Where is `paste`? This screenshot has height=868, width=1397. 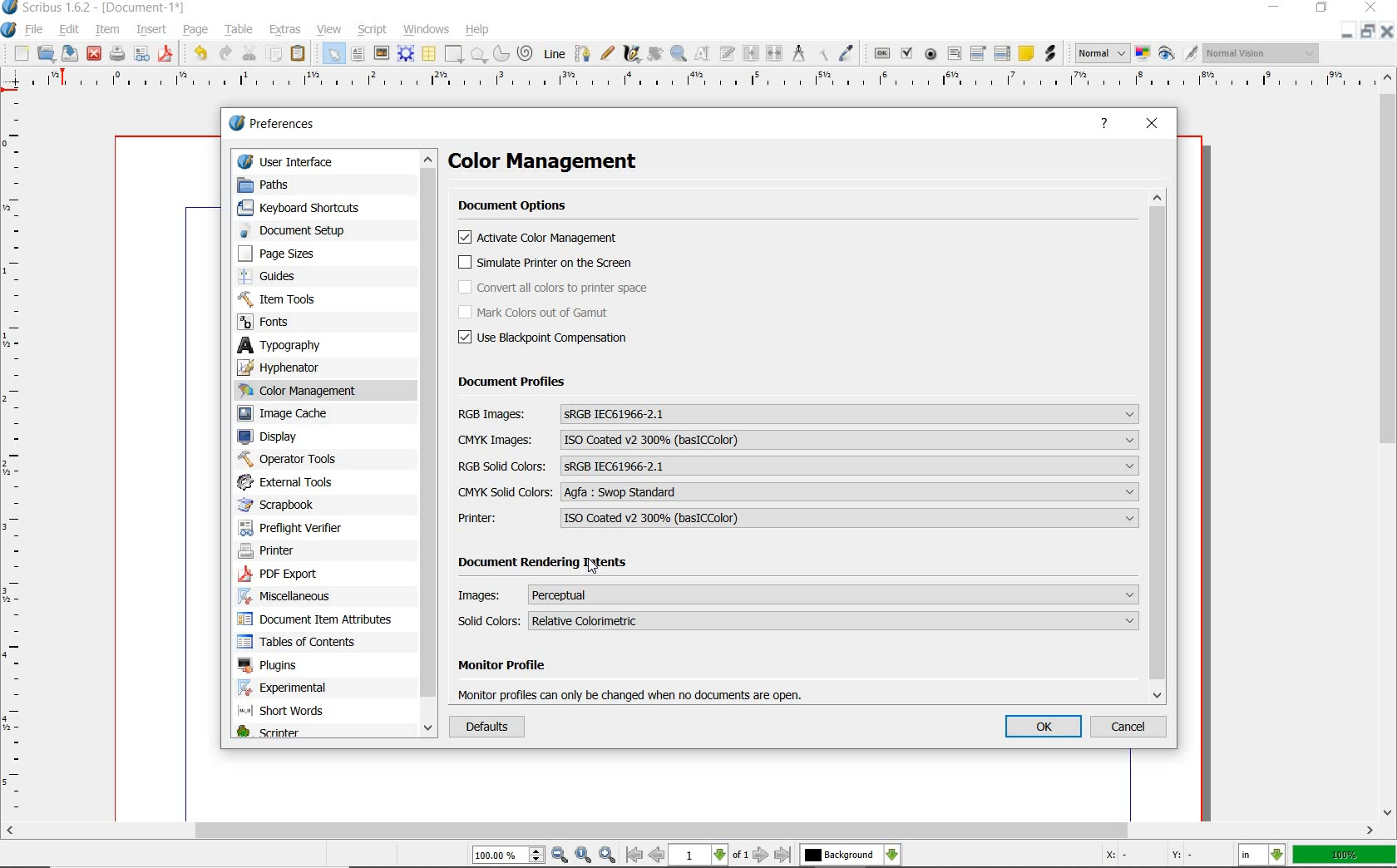 paste is located at coordinates (301, 55).